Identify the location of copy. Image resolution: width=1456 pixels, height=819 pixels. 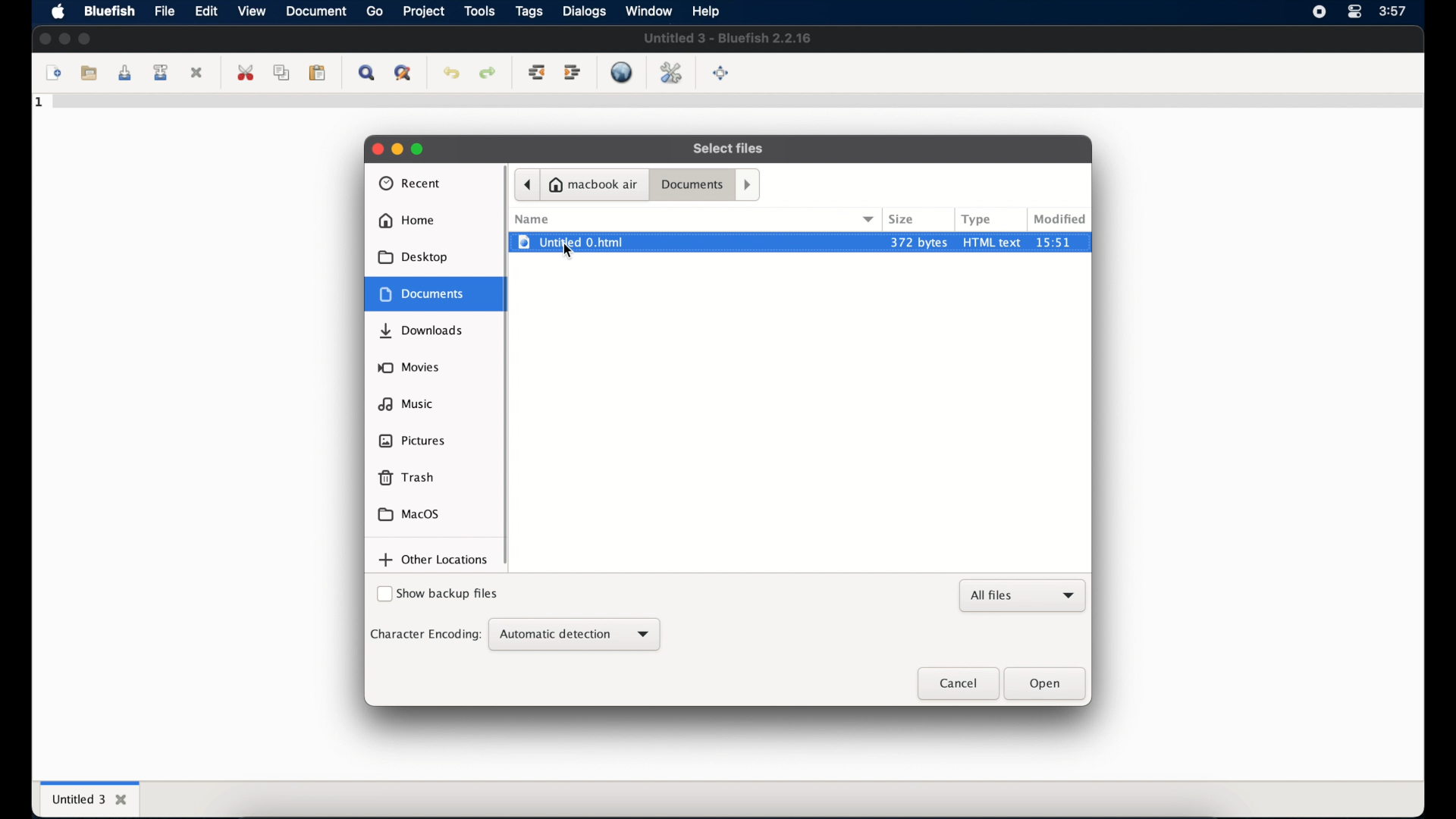
(281, 74).